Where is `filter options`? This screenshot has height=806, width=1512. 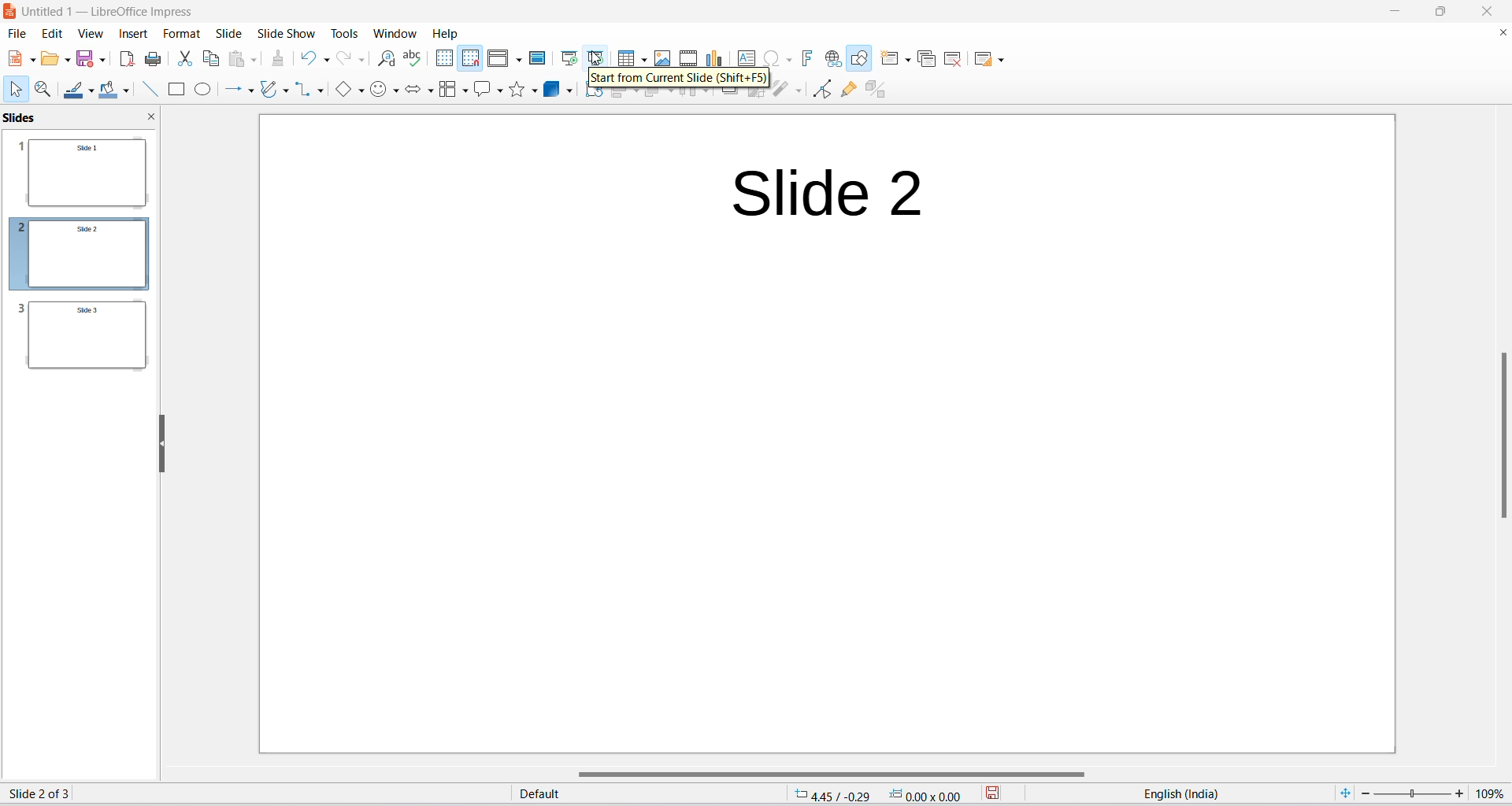 filter options is located at coordinates (799, 91).